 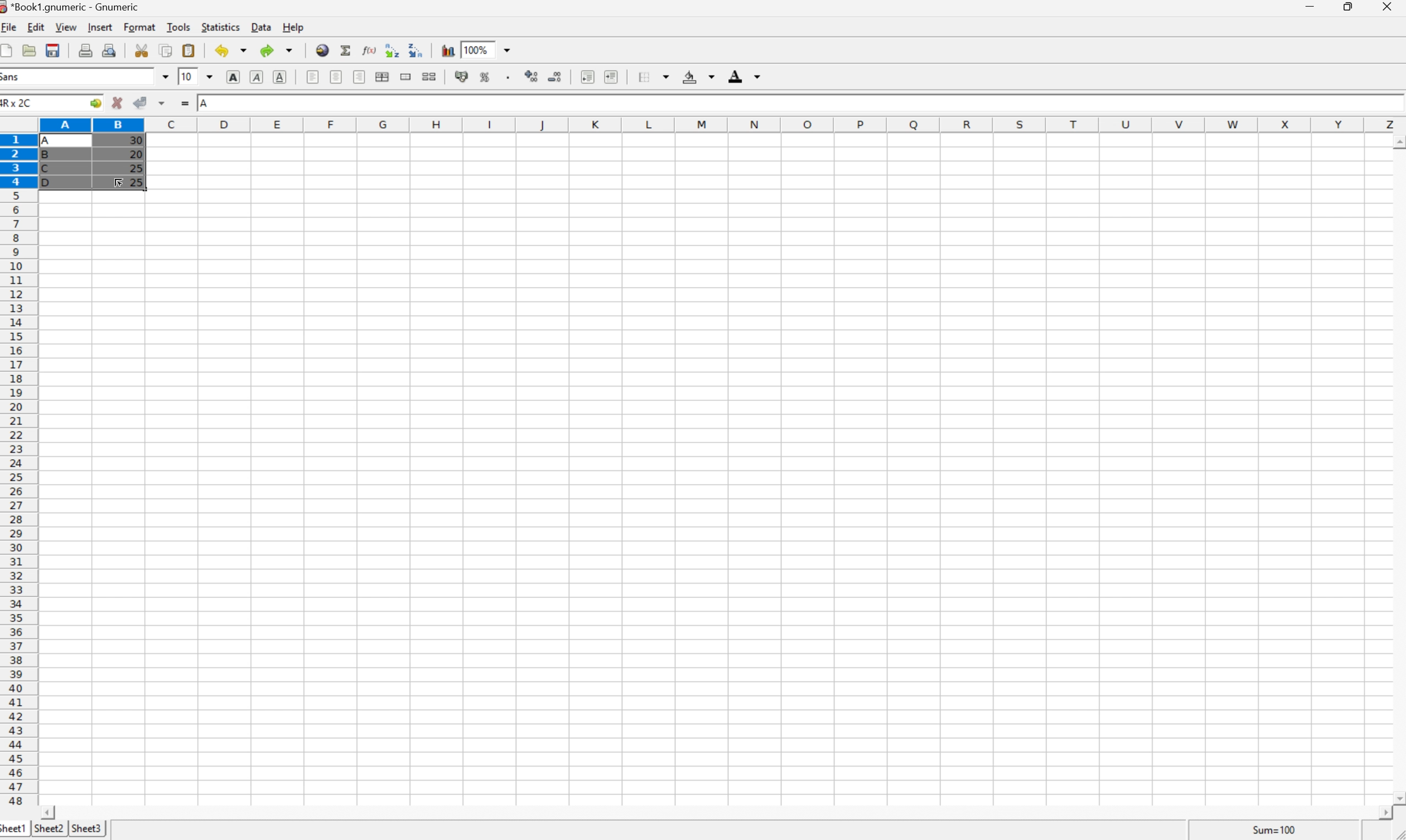 What do you see at coordinates (110, 49) in the screenshot?
I see `Print preview` at bounding box center [110, 49].